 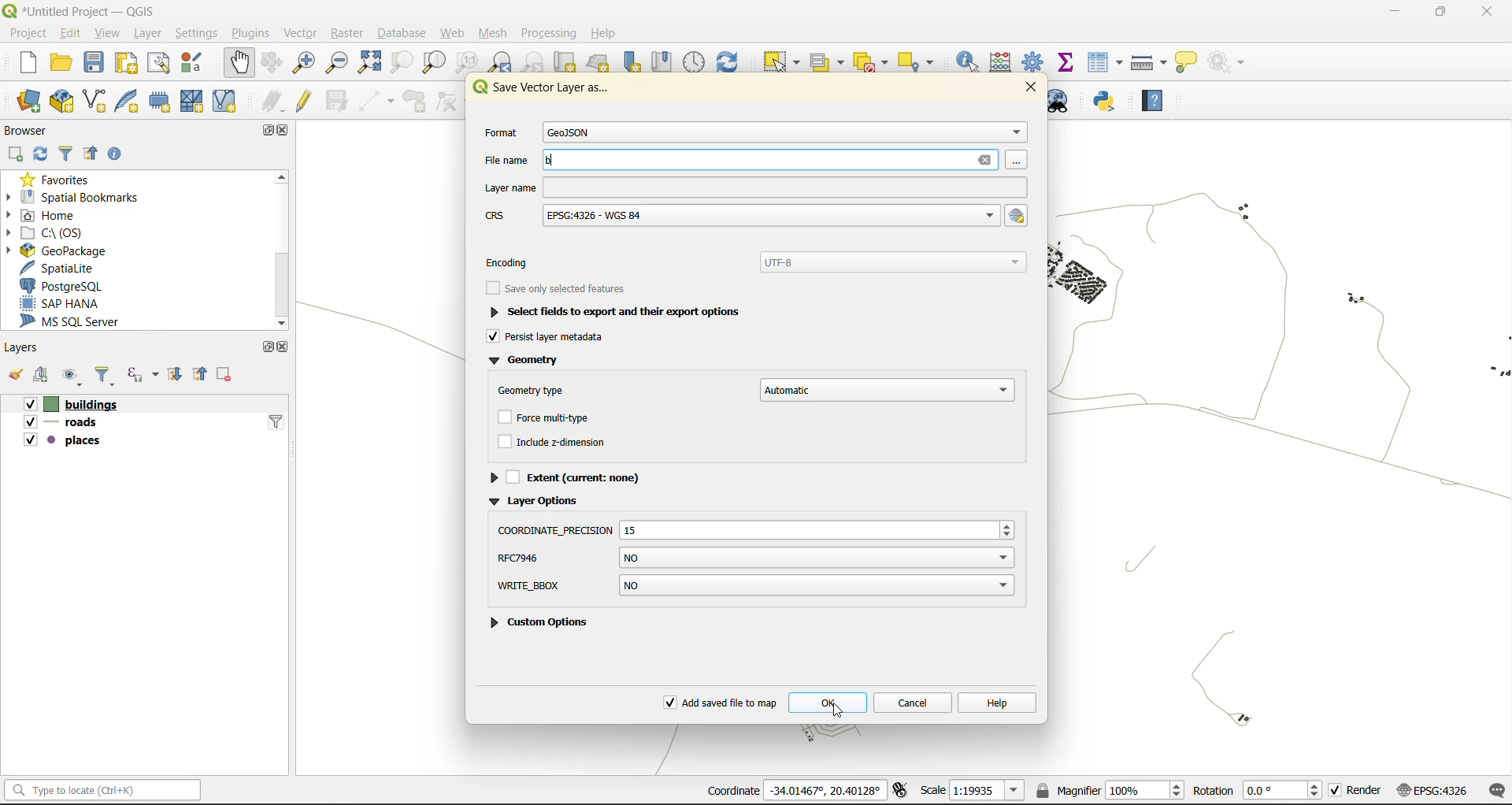 What do you see at coordinates (731, 61) in the screenshot?
I see `refresh` at bounding box center [731, 61].